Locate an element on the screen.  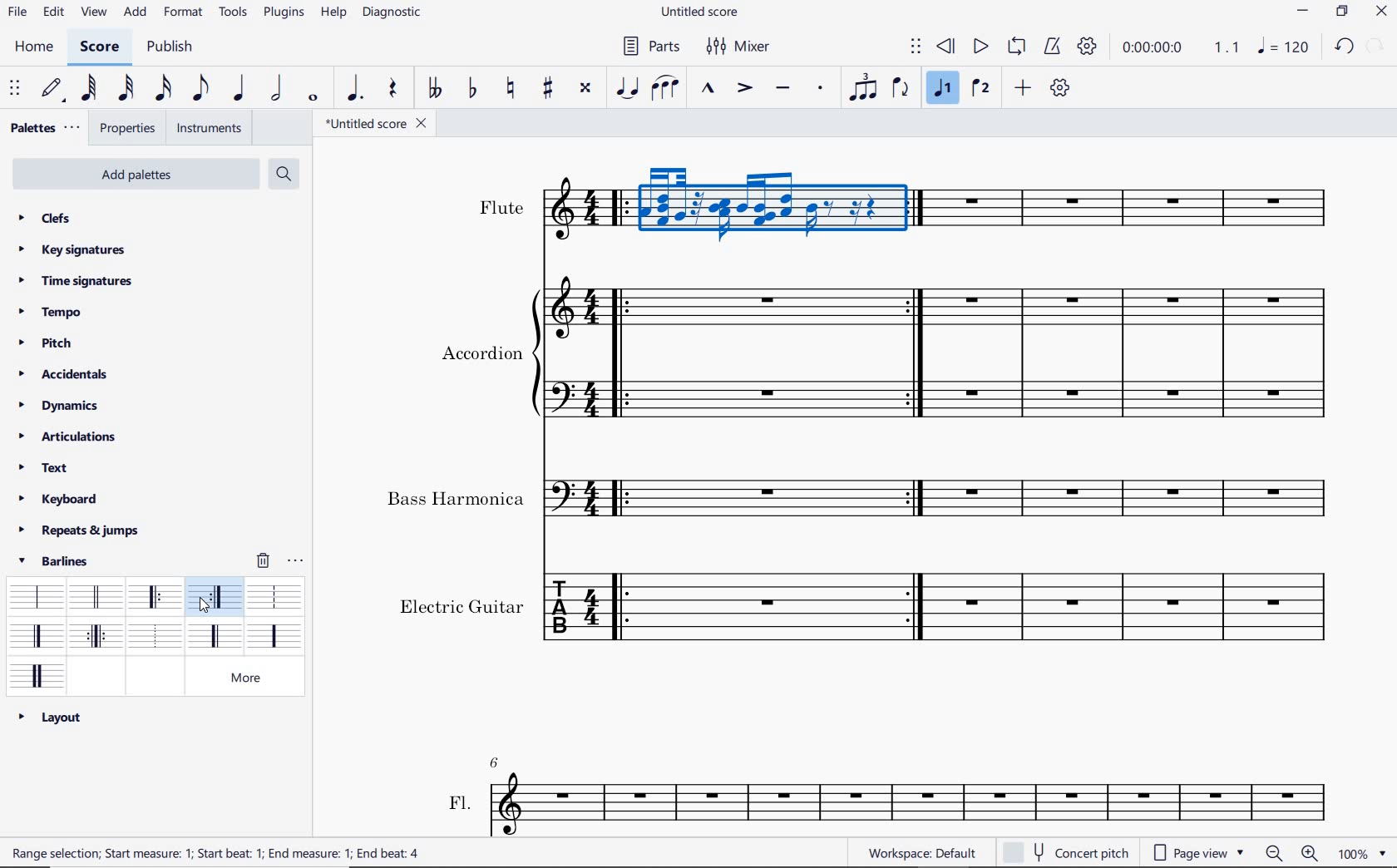
text is located at coordinates (460, 801).